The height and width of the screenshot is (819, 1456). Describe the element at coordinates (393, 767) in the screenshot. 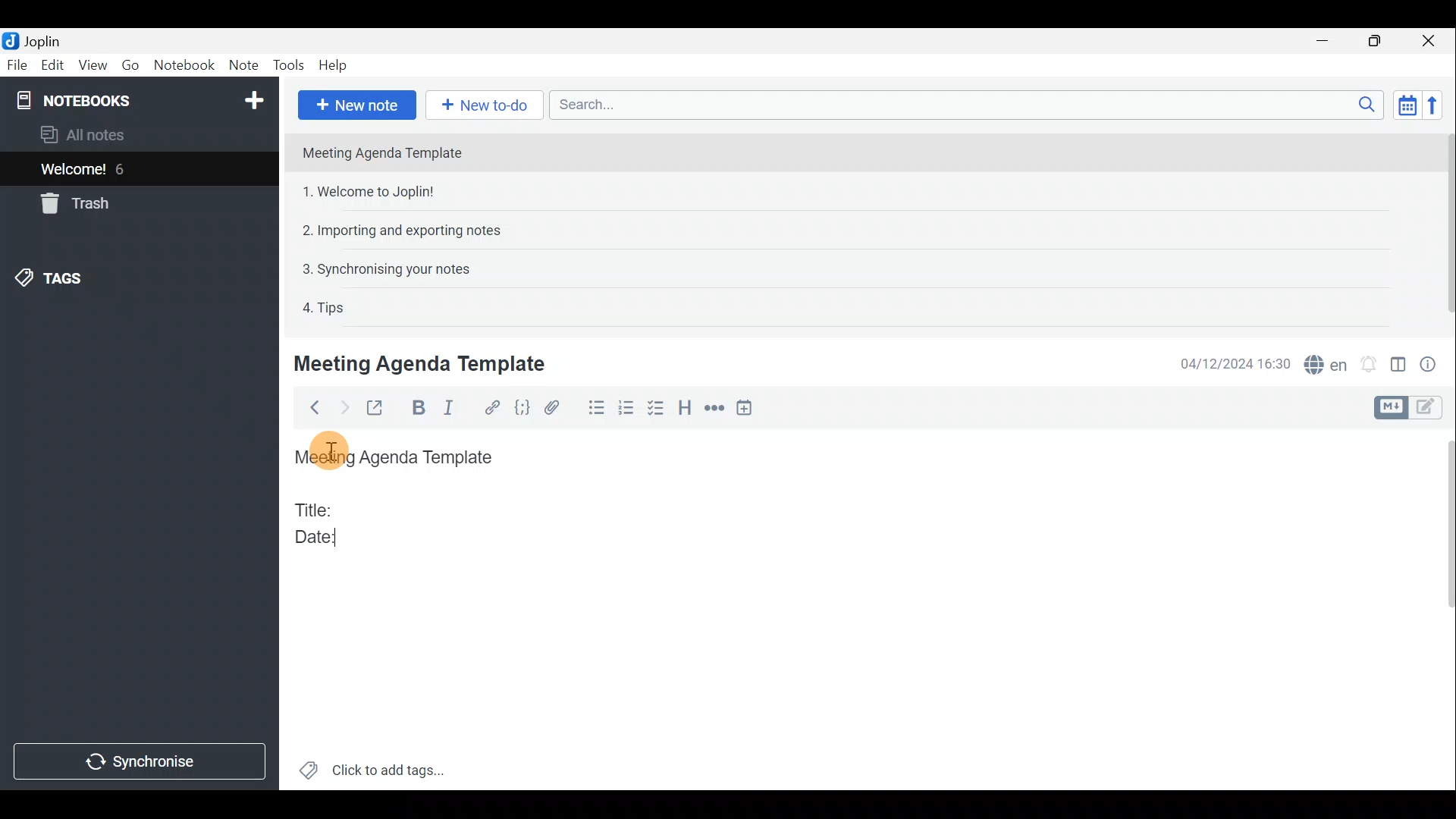

I see `Click to add tags` at that location.